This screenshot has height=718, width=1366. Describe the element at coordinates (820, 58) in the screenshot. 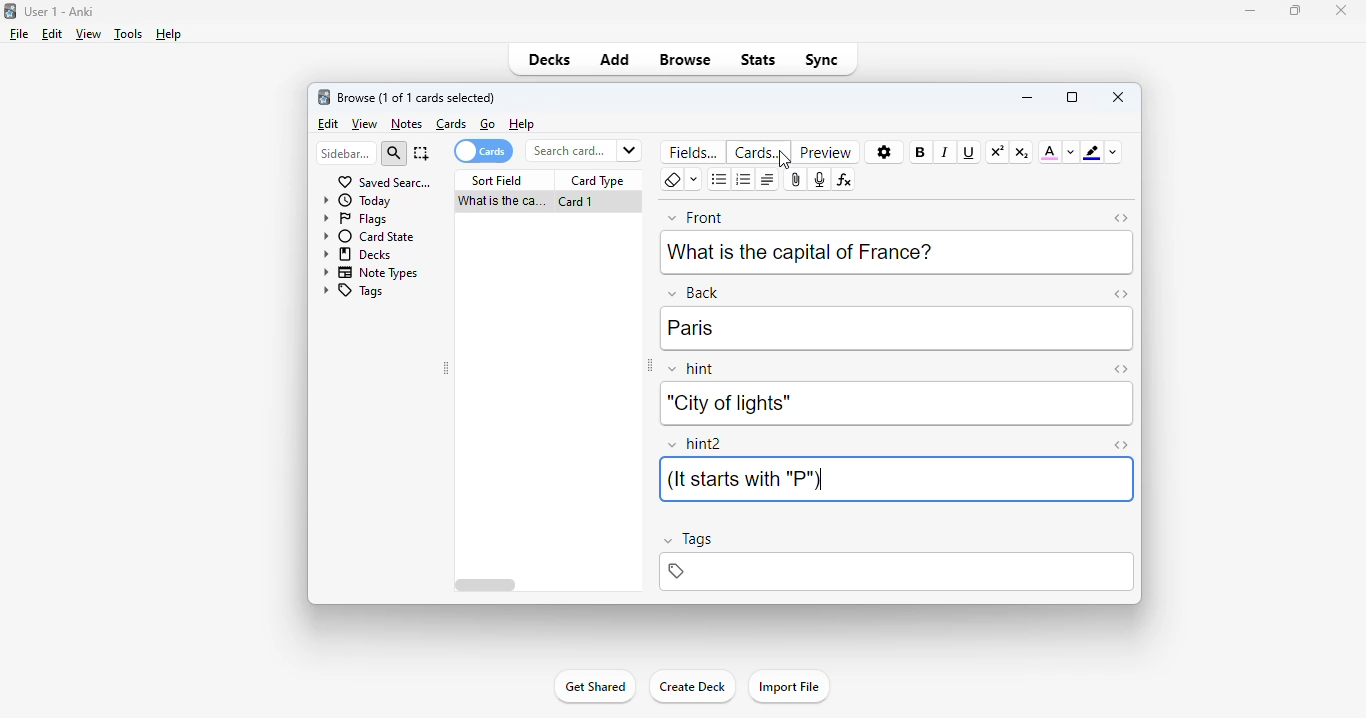

I see `sync` at that location.